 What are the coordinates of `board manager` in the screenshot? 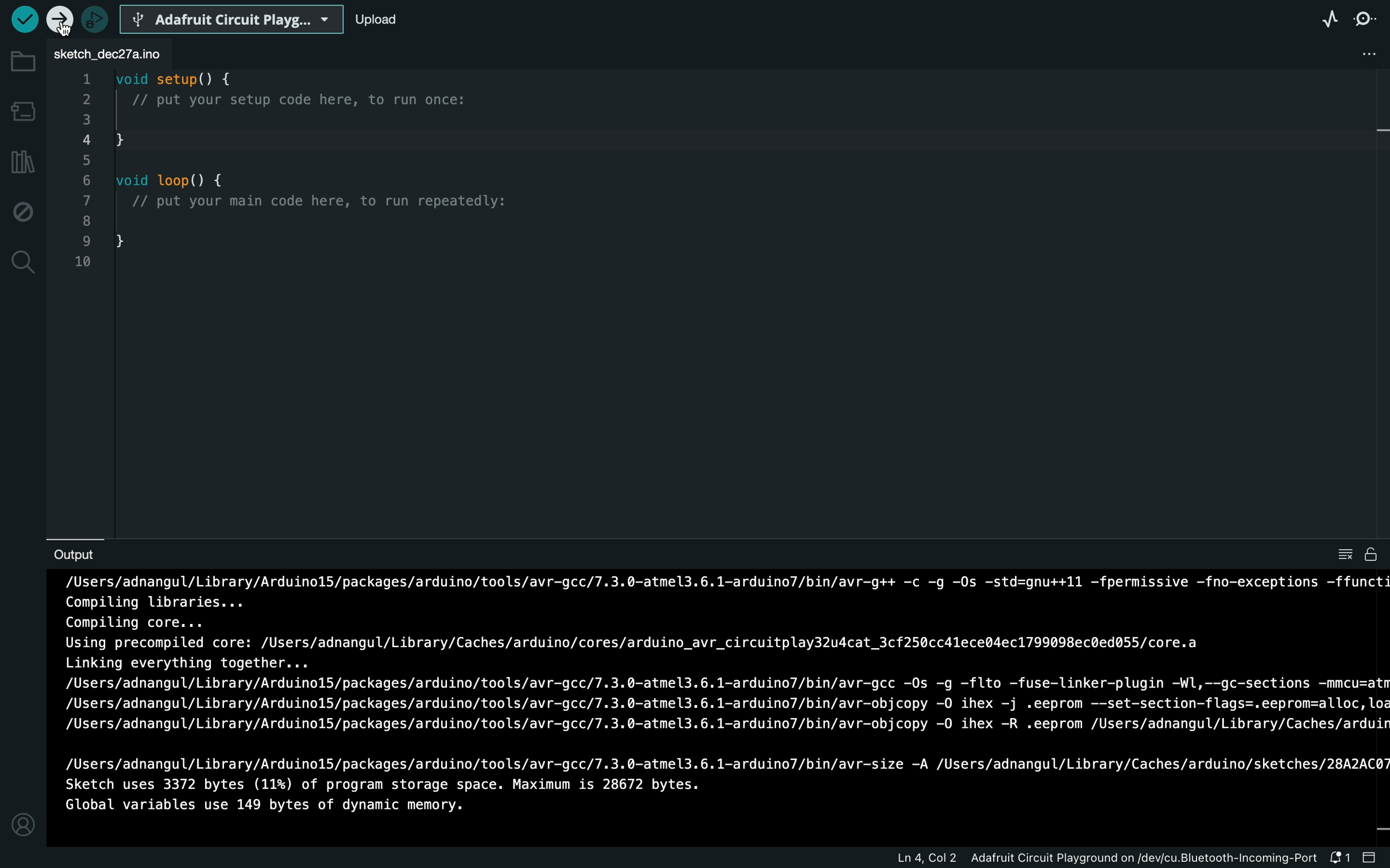 It's located at (21, 110).